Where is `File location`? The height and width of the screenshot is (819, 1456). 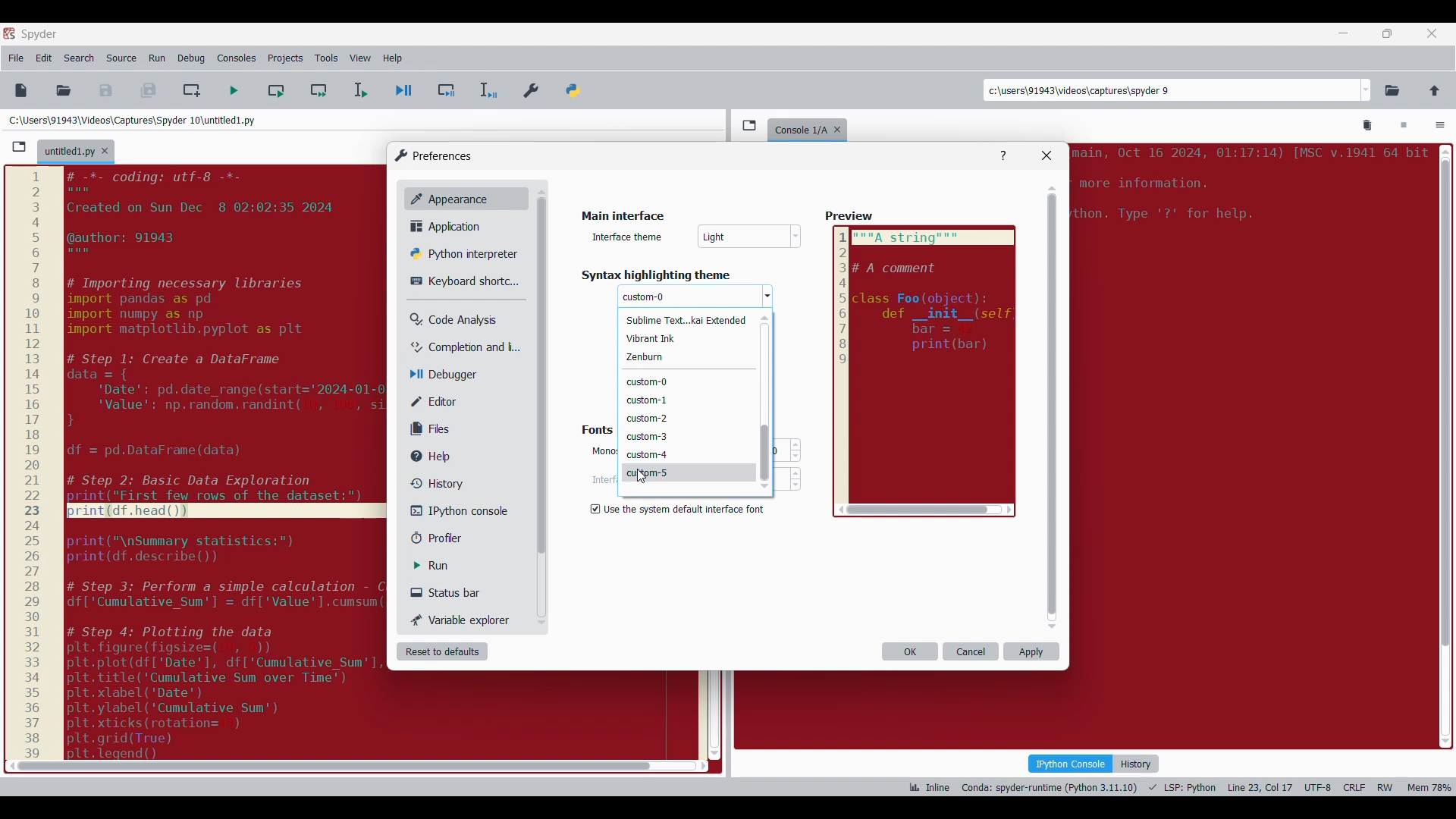 File location is located at coordinates (132, 120).